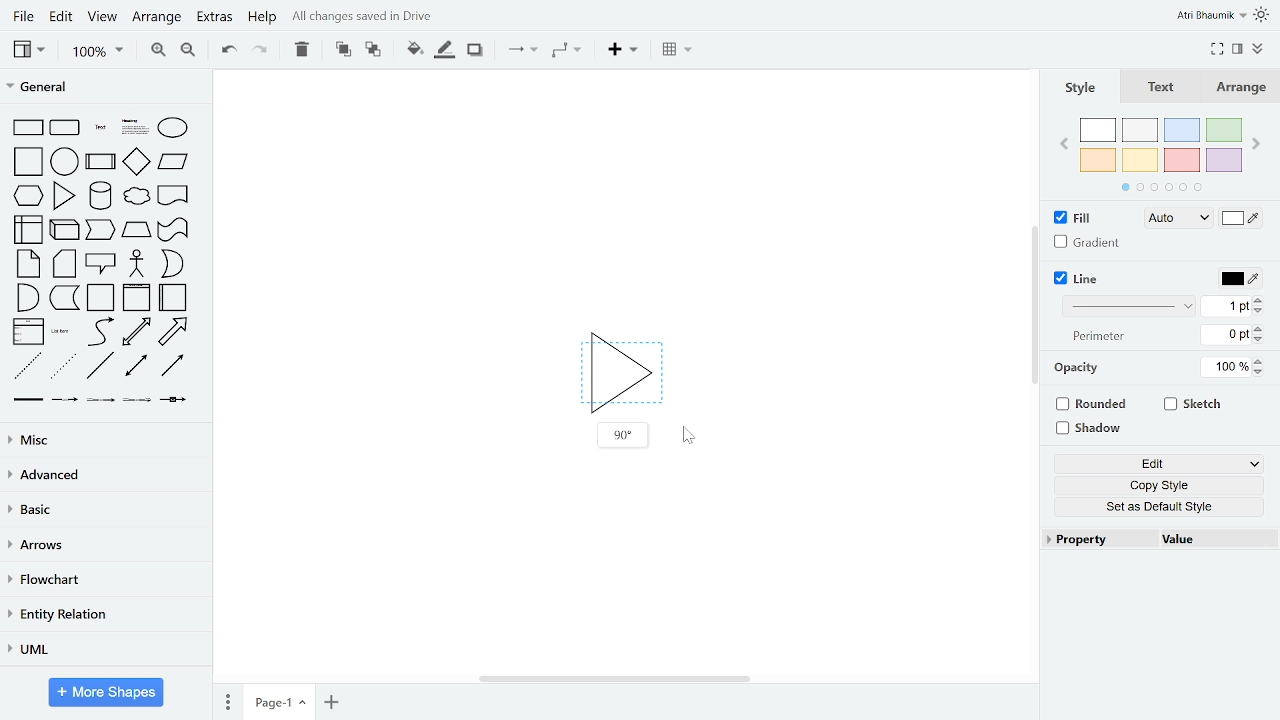  What do you see at coordinates (99, 128) in the screenshot?
I see `text` at bounding box center [99, 128].